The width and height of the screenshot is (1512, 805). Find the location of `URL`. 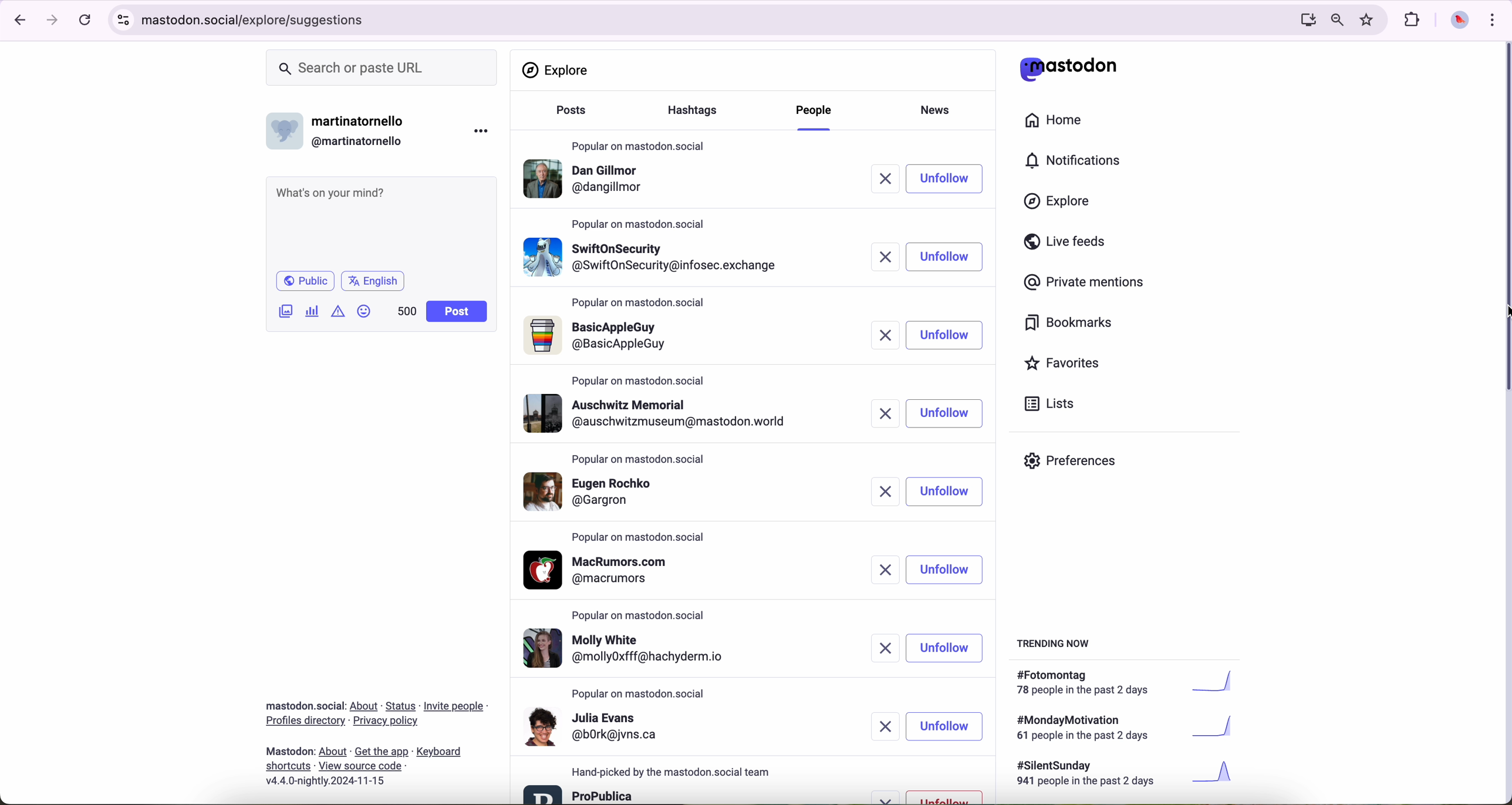

URL is located at coordinates (258, 18).